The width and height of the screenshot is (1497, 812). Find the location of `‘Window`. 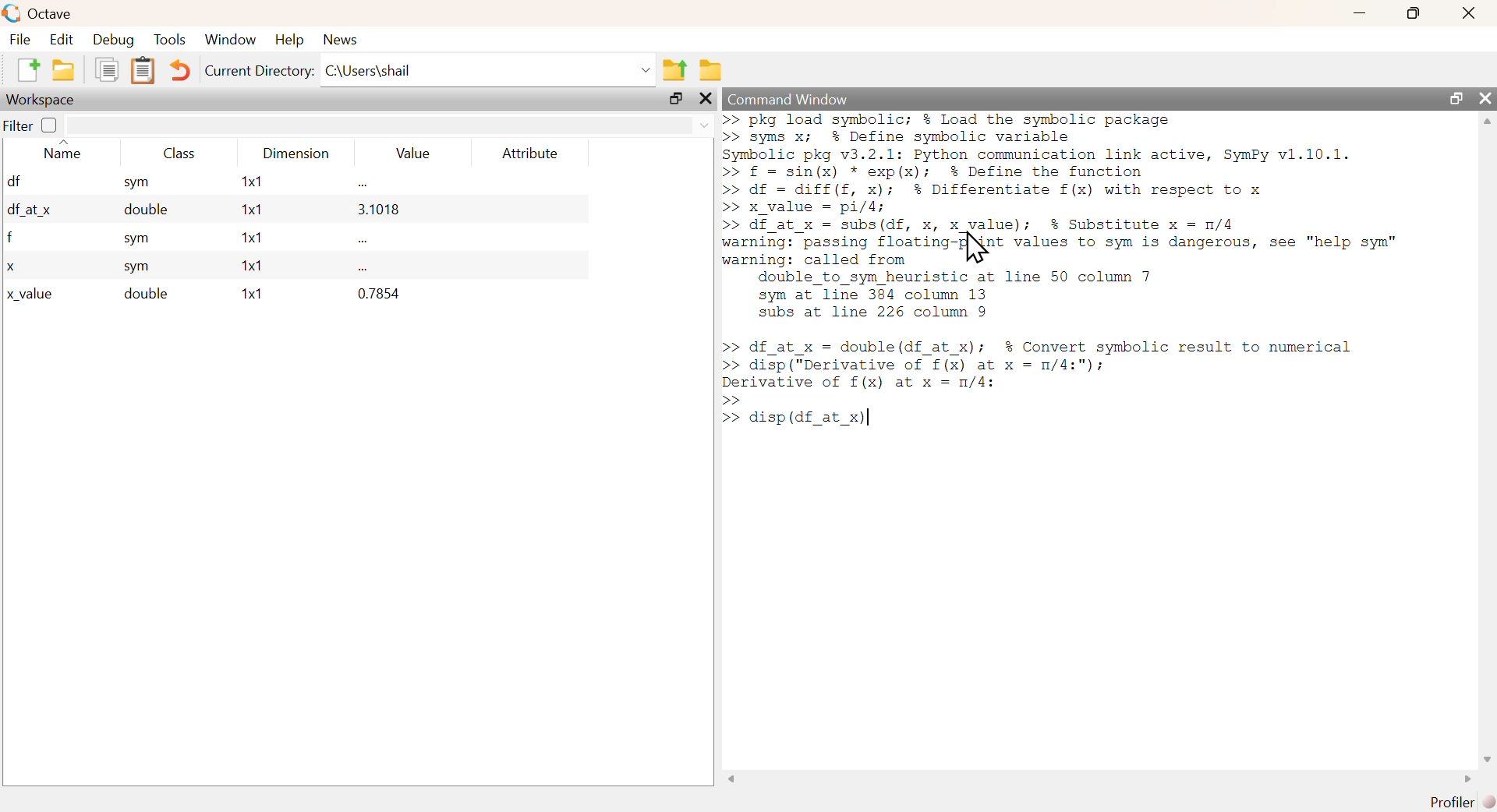

‘Window is located at coordinates (228, 41).